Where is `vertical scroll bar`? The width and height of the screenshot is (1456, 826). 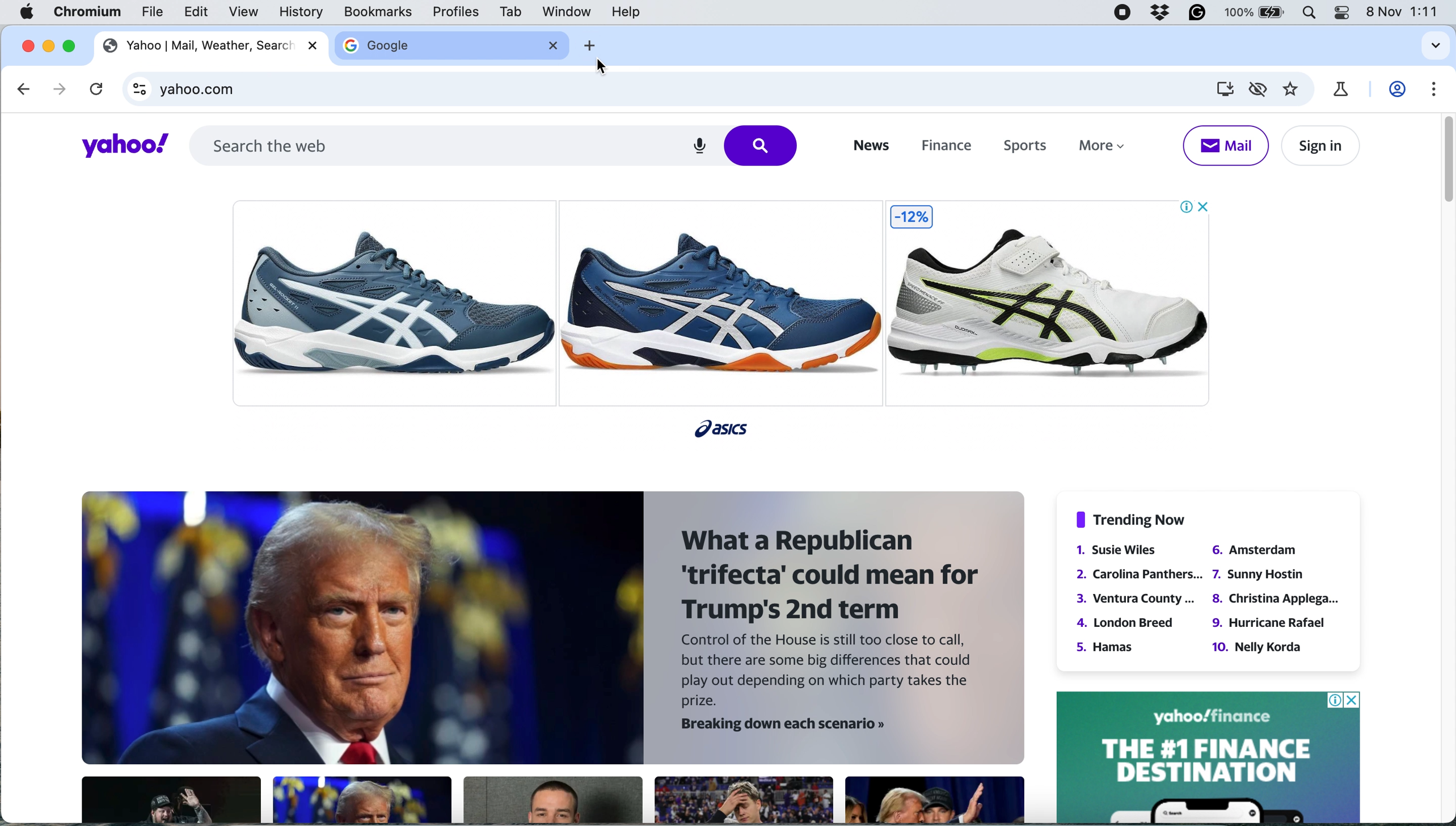
vertical scroll bar is located at coordinates (1442, 160).